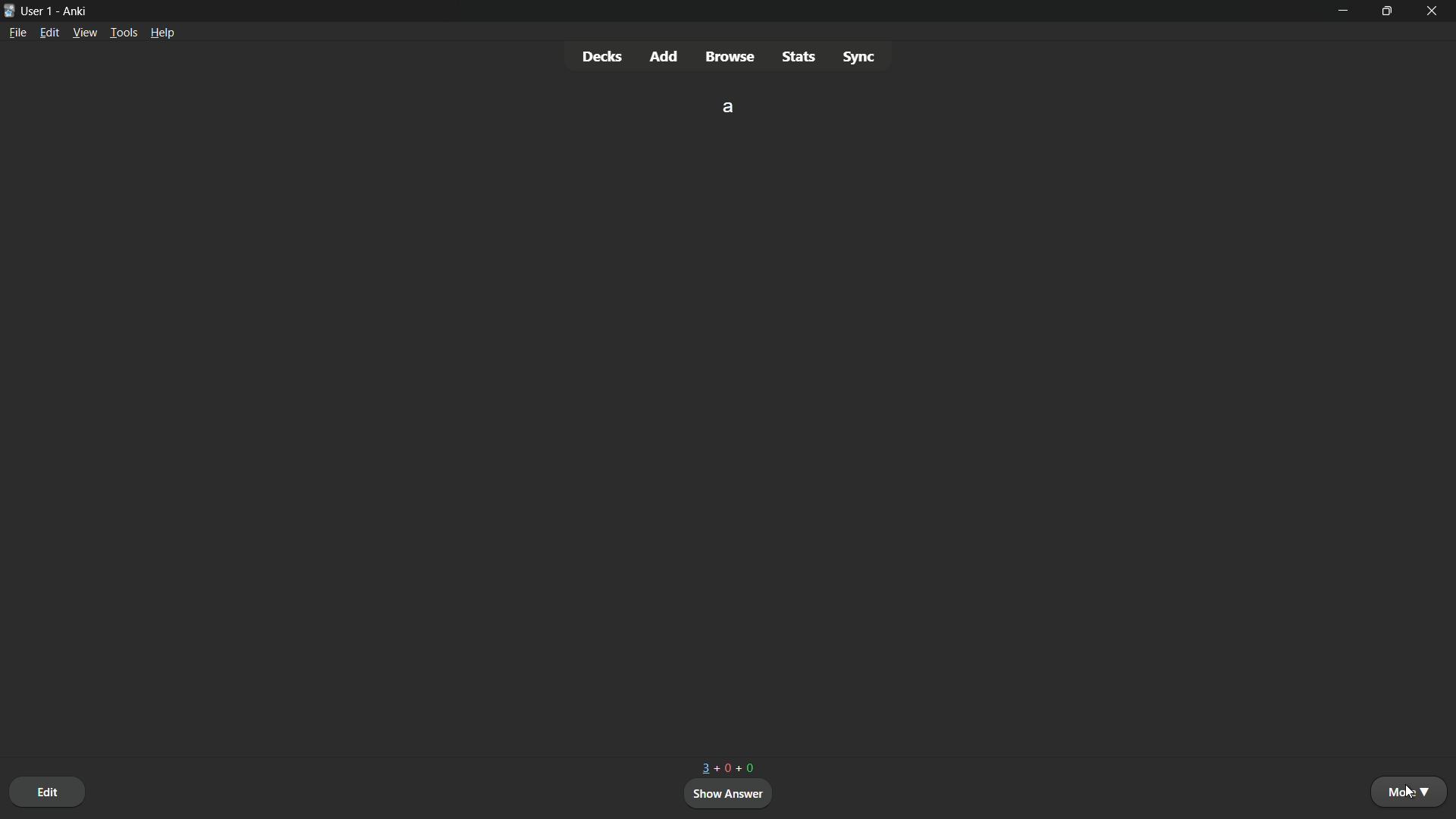 The image size is (1456, 819). Describe the element at coordinates (798, 56) in the screenshot. I see `stats` at that location.